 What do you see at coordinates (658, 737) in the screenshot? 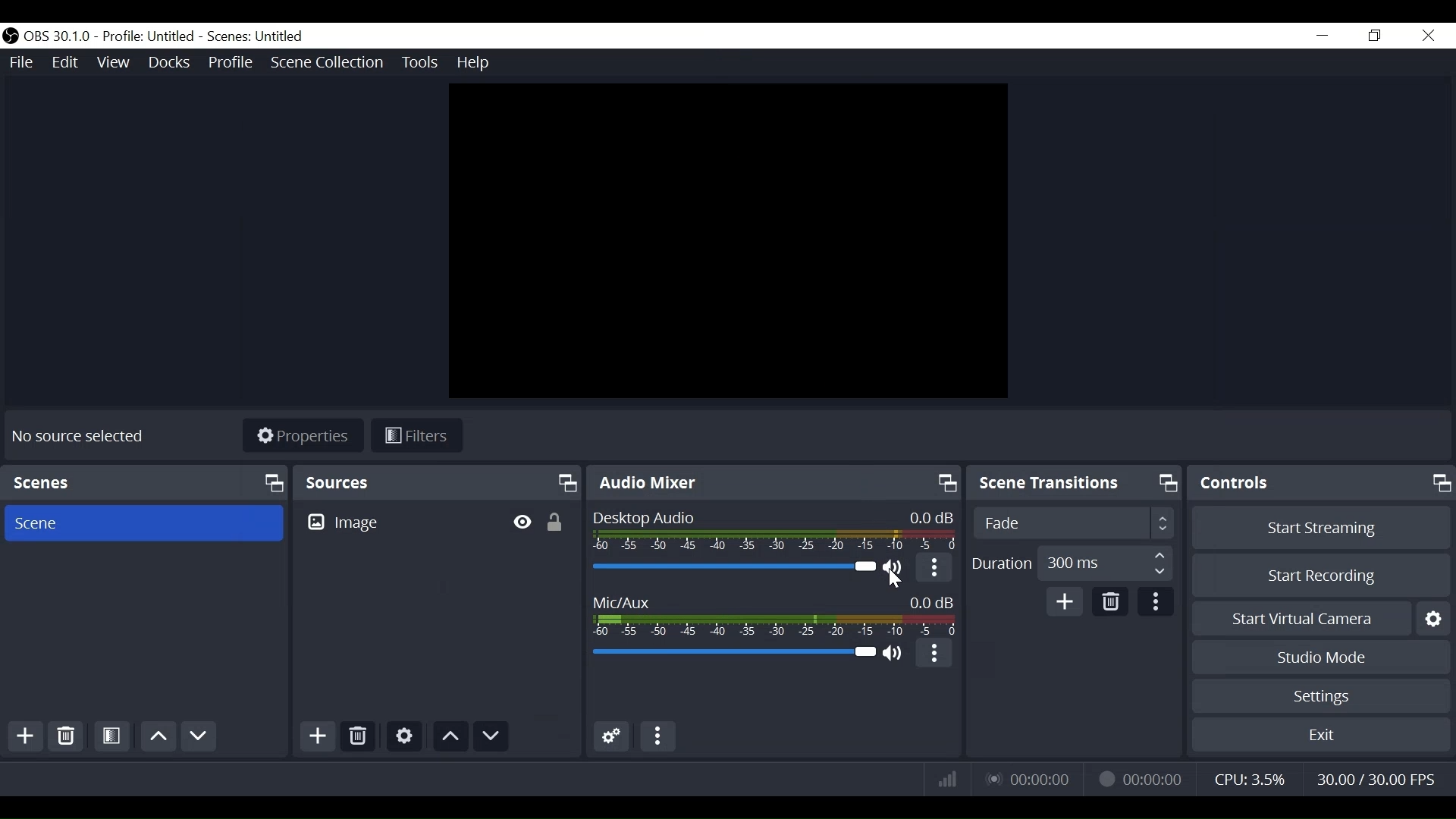
I see `More Options` at bounding box center [658, 737].